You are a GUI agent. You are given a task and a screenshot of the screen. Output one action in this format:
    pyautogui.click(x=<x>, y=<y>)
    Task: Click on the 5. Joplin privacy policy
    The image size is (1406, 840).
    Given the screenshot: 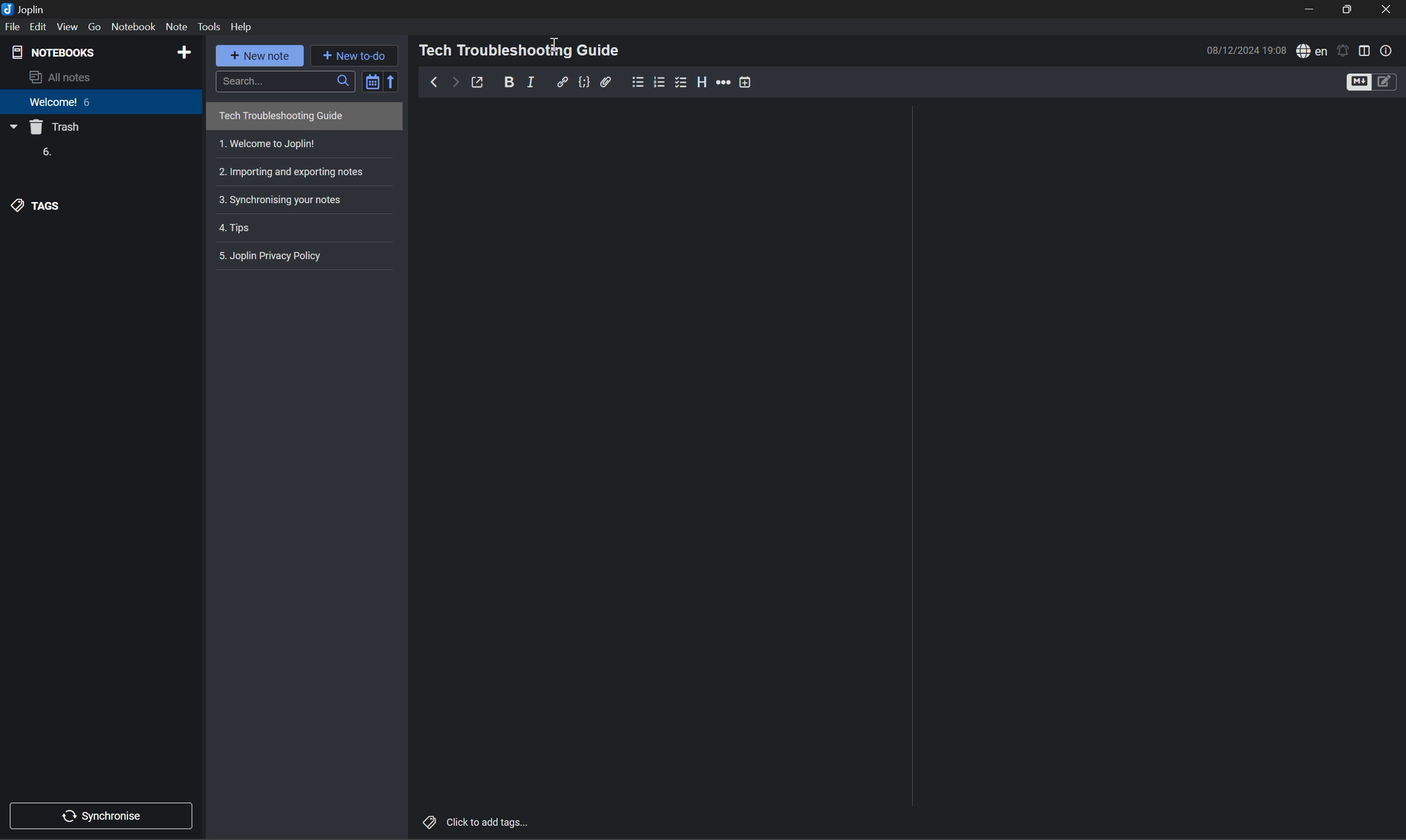 What is the action you would take?
    pyautogui.click(x=274, y=255)
    